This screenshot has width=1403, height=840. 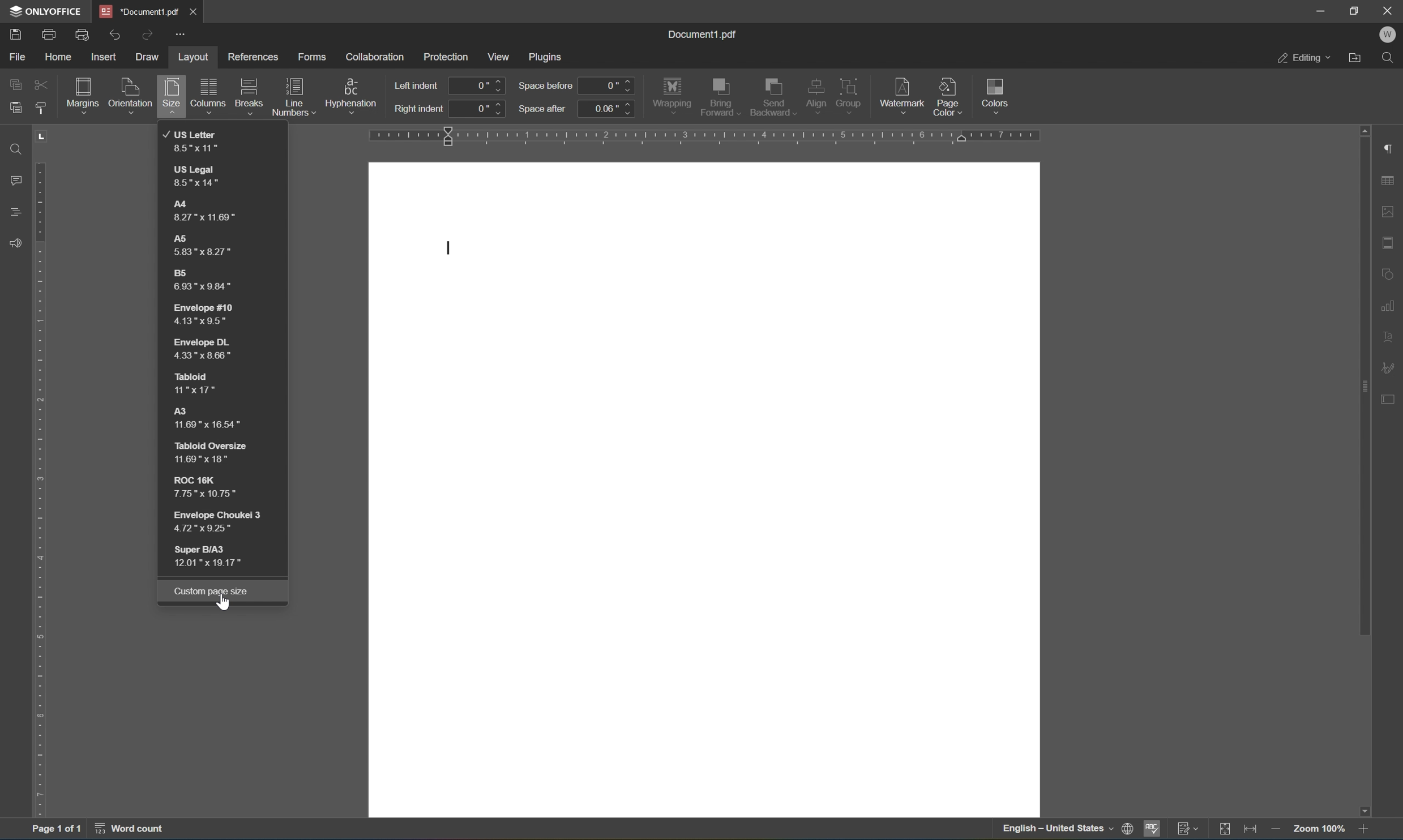 What do you see at coordinates (705, 34) in the screenshot?
I see `document1.pdf` at bounding box center [705, 34].